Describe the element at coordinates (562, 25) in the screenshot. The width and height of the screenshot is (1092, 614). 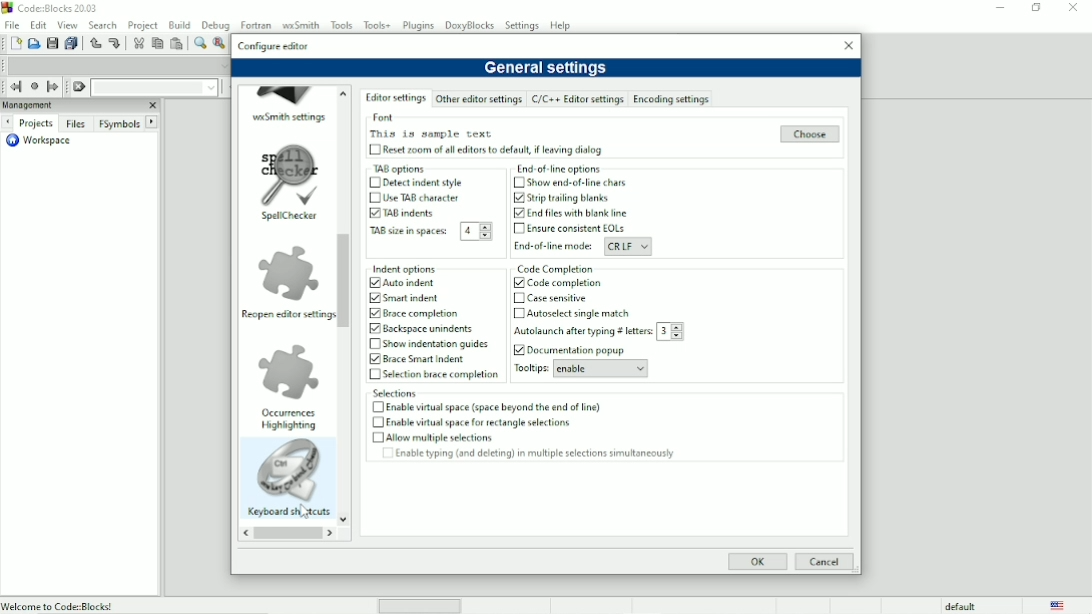
I see `Help` at that location.